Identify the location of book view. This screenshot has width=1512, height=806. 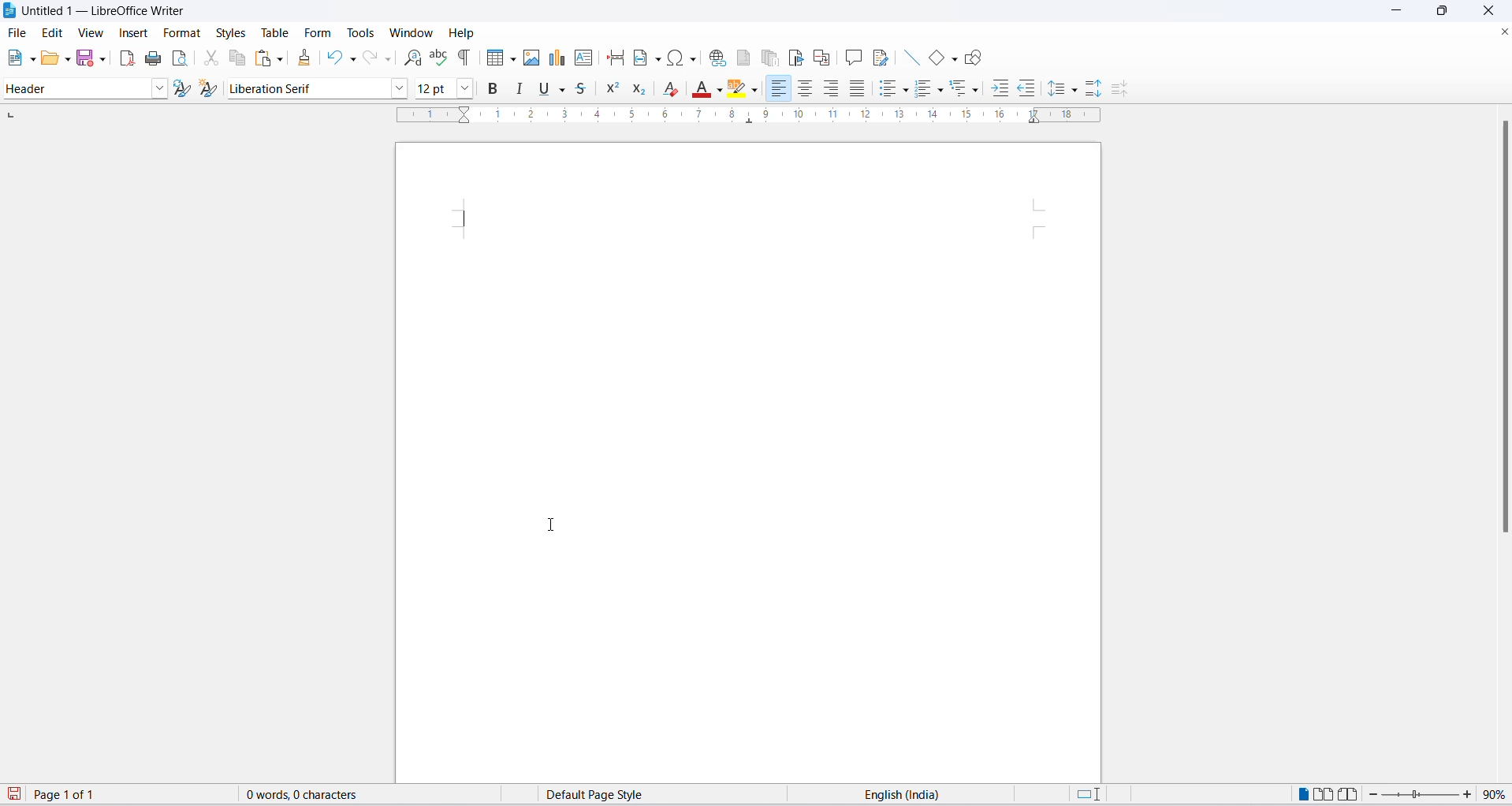
(1346, 794).